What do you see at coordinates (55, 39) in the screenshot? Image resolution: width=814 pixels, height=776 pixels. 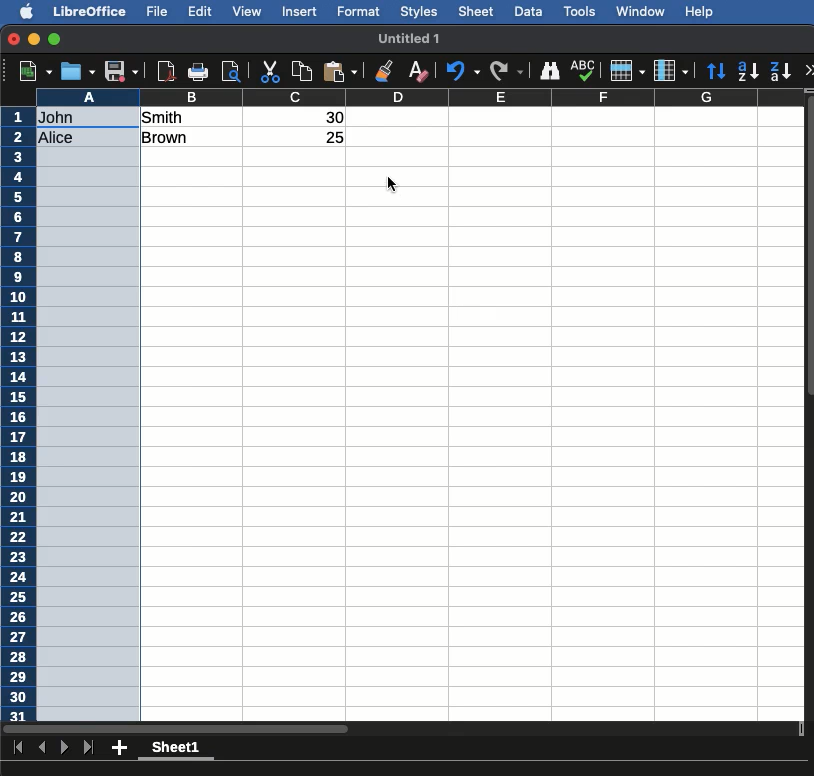 I see `Maximize` at bounding box center [55, 39].